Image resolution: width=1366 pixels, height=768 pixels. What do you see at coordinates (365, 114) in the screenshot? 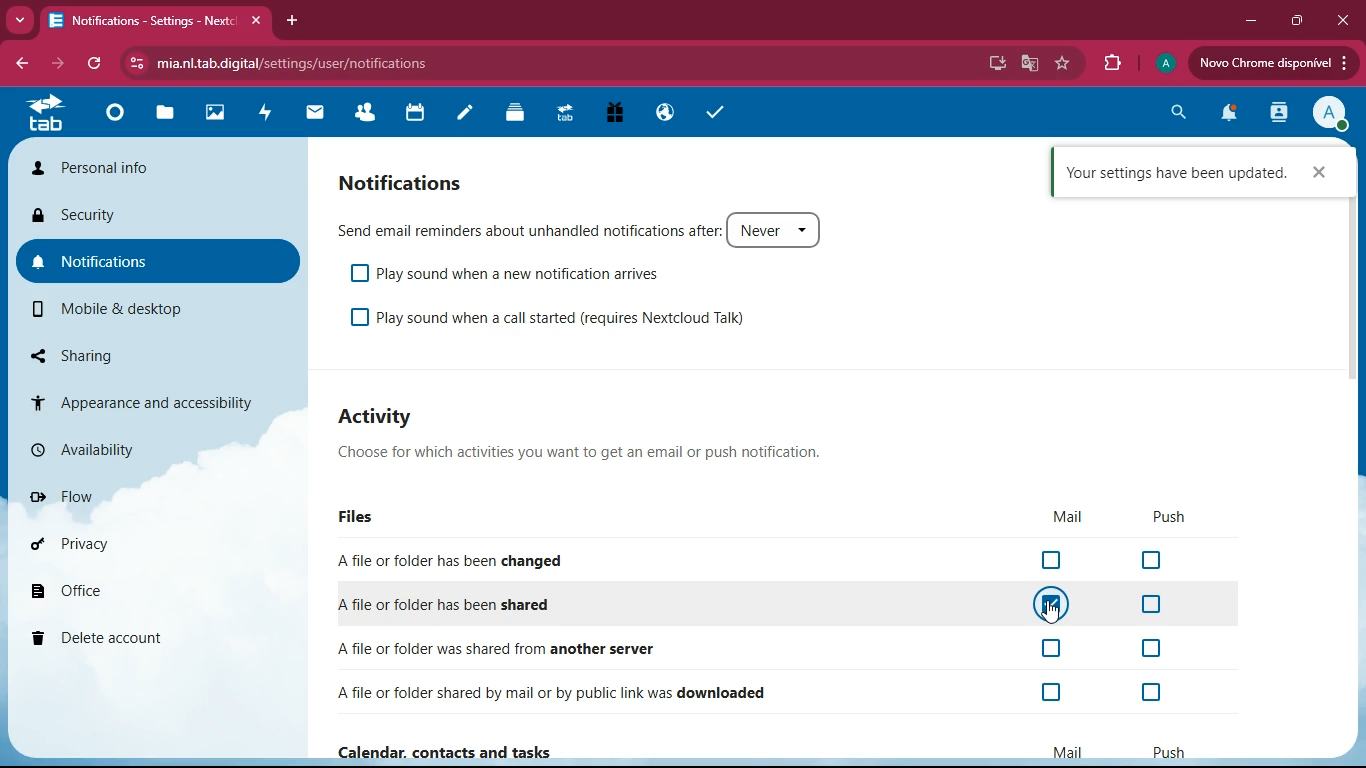
I see `friends` at bounding box center [365, 114].